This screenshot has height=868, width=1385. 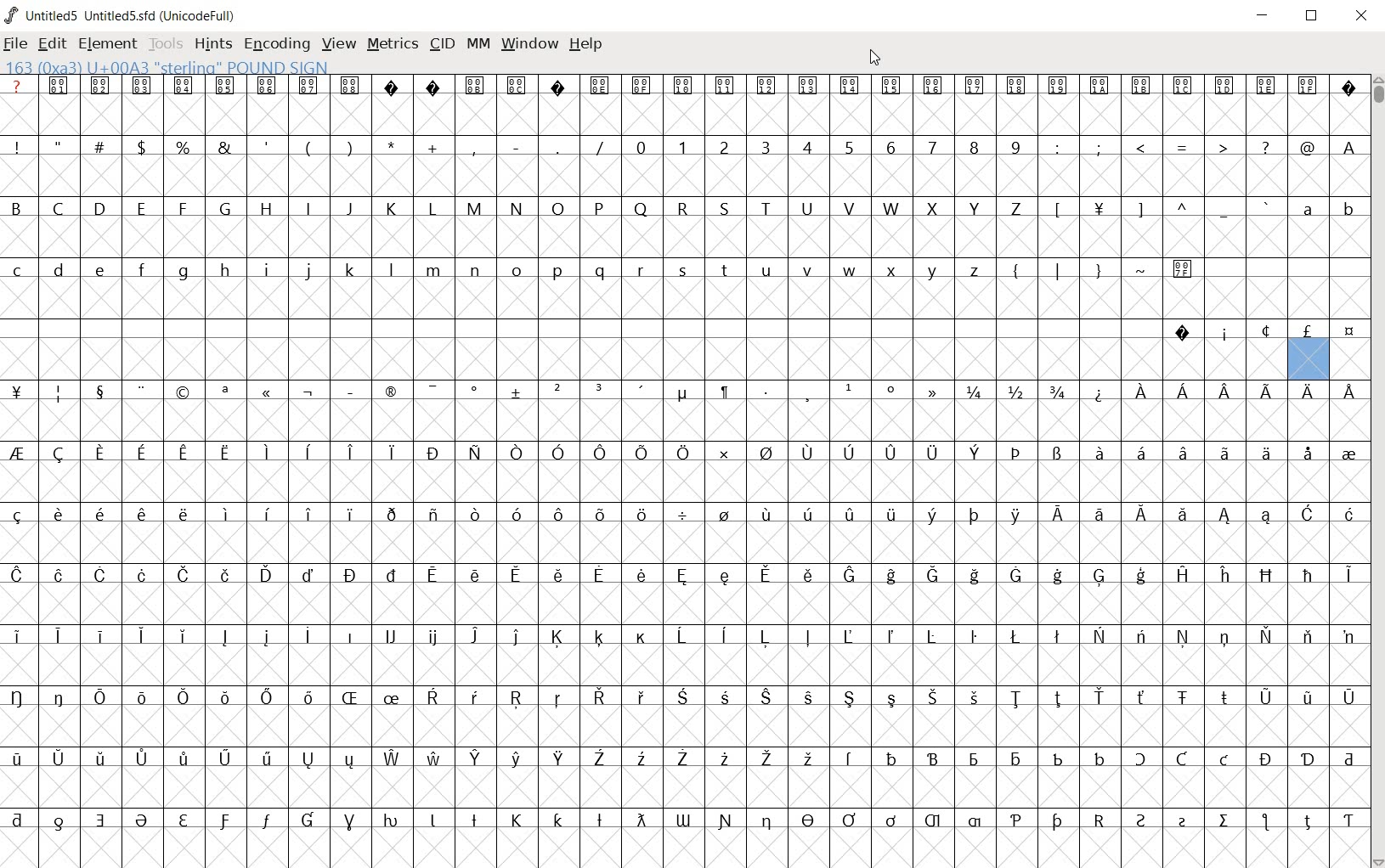 I want to click on Symbol, so click(x=975, y=636).